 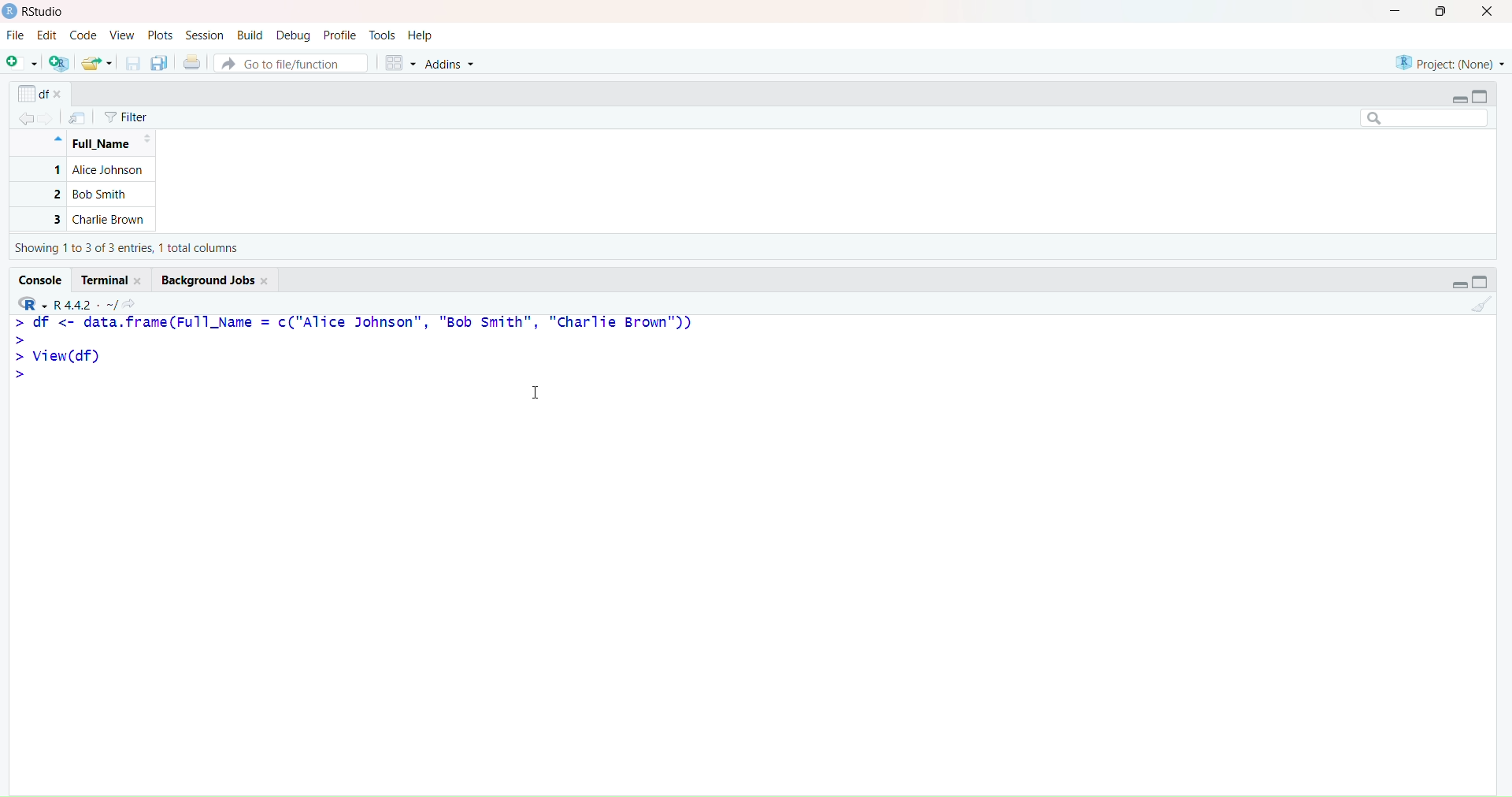 What do you see at coordinates (22, 117) in the screenshot?
I see `Go back to the previous source location (Ctrl + F9)` at bounding box center [22, 117].